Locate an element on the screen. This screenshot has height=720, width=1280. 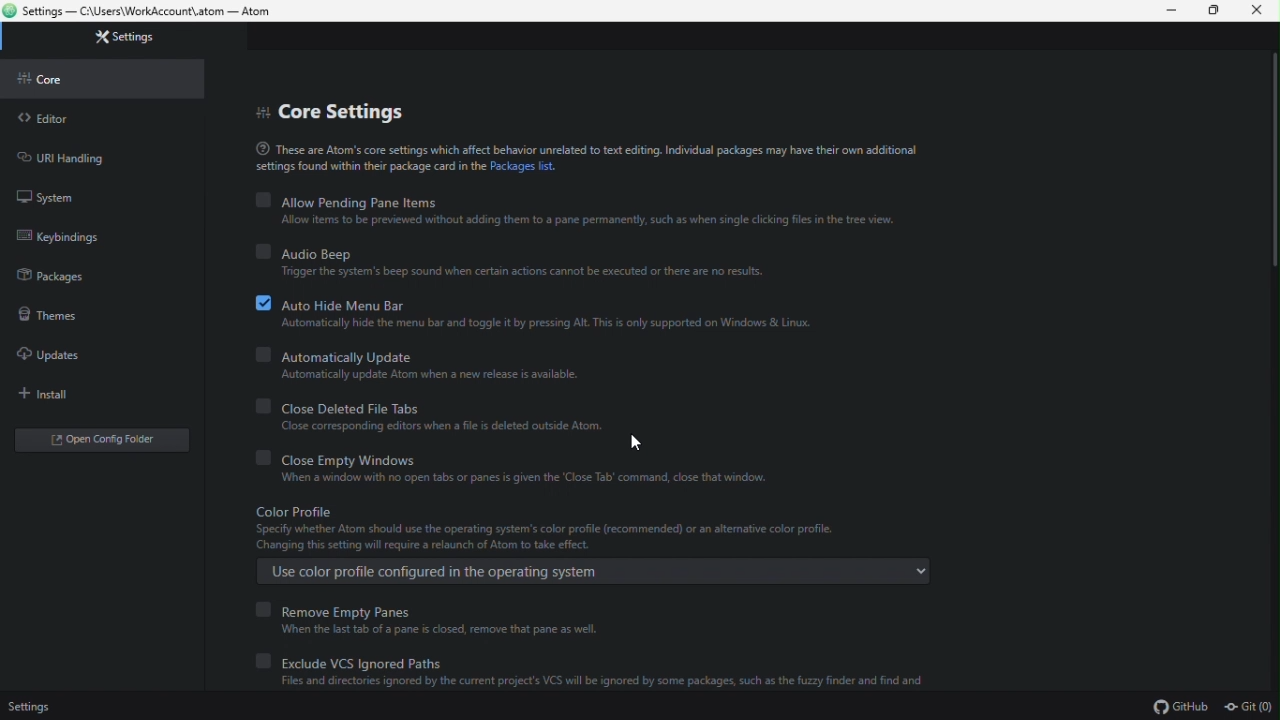
minimize is located at coordinates (1176, 11).